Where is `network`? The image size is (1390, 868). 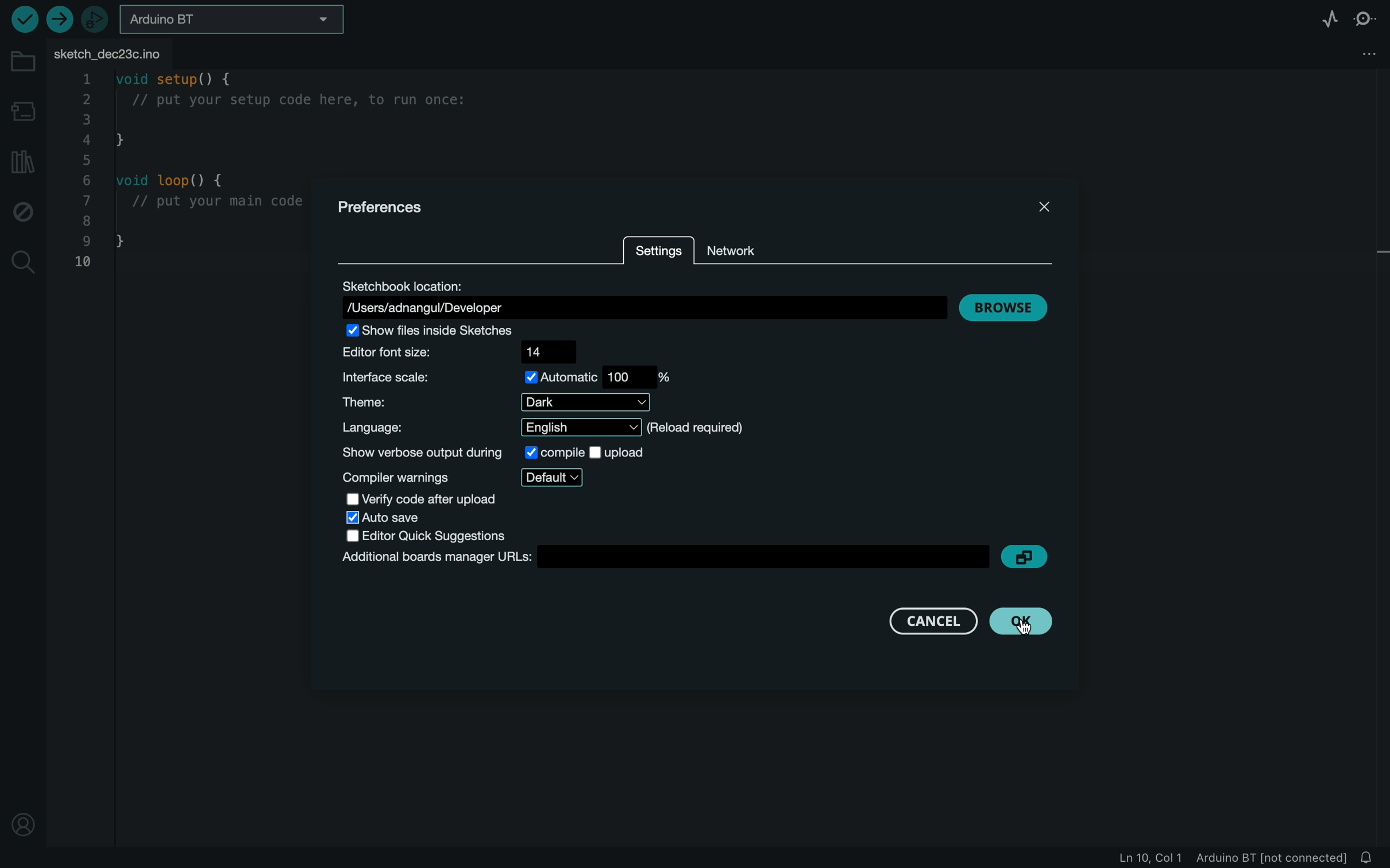
network is located at coordinates (748, 246).